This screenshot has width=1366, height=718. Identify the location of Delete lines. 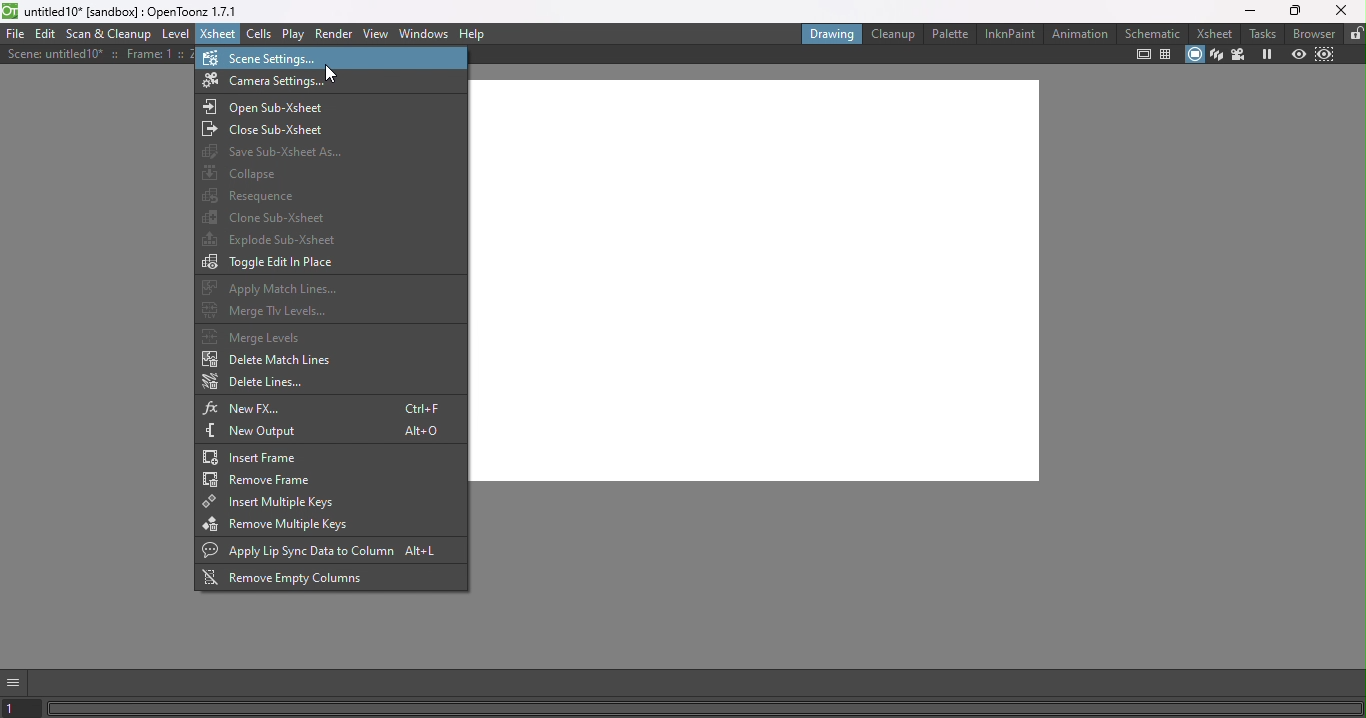
(255, 383).